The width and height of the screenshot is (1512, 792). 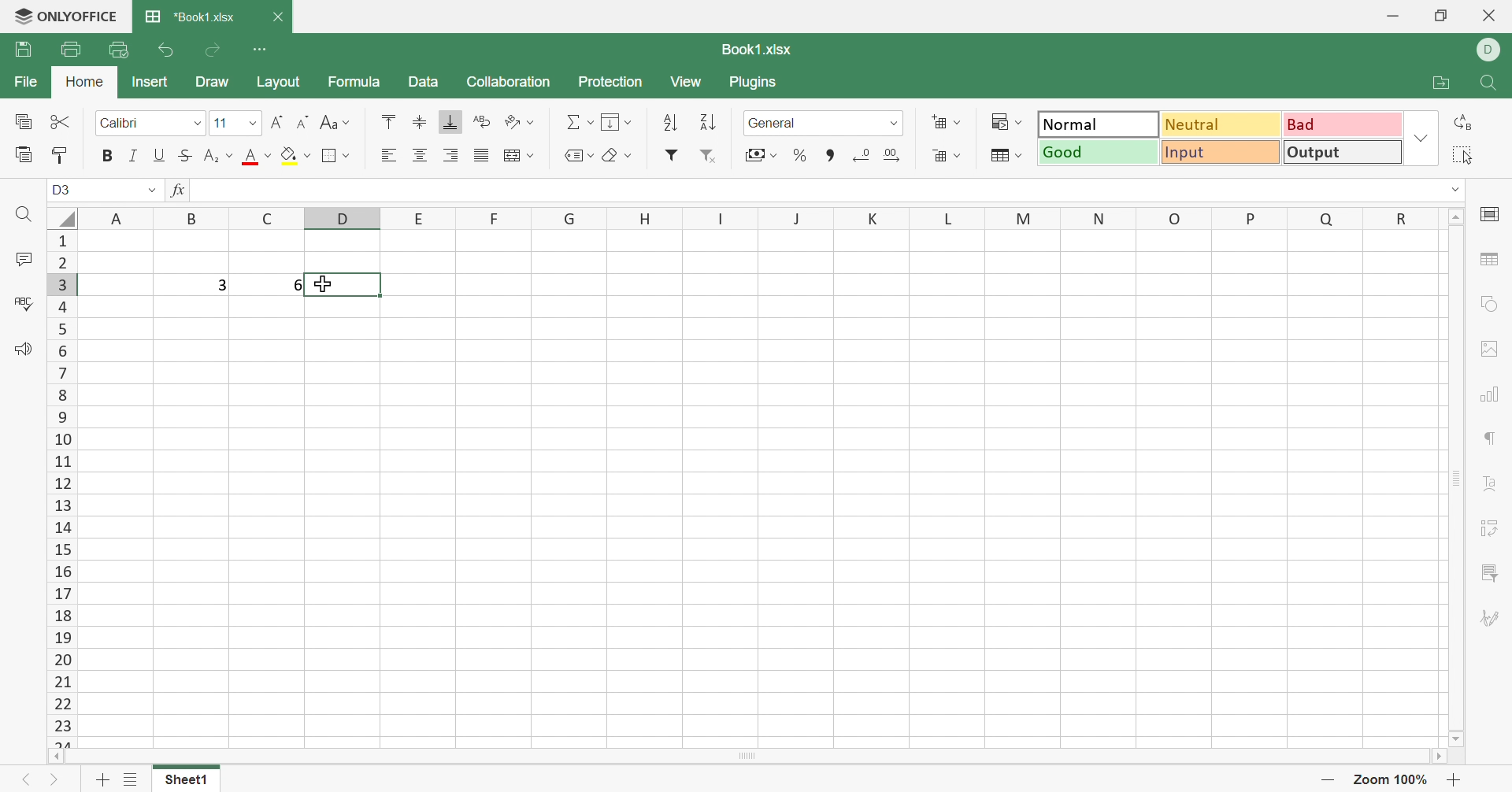 I want to click on Align top, so click(x=387, y=121).